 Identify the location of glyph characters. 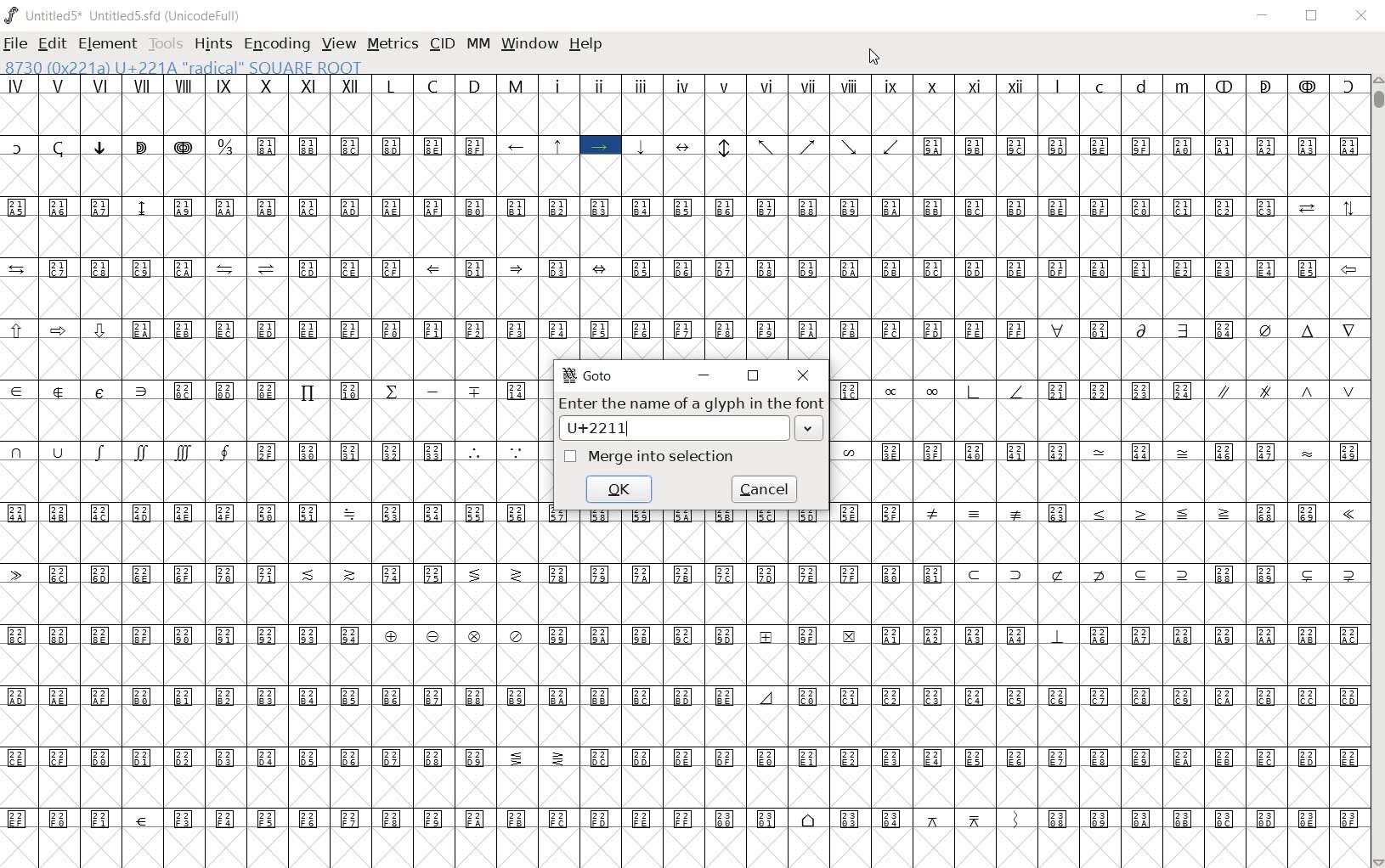
(271, 472).